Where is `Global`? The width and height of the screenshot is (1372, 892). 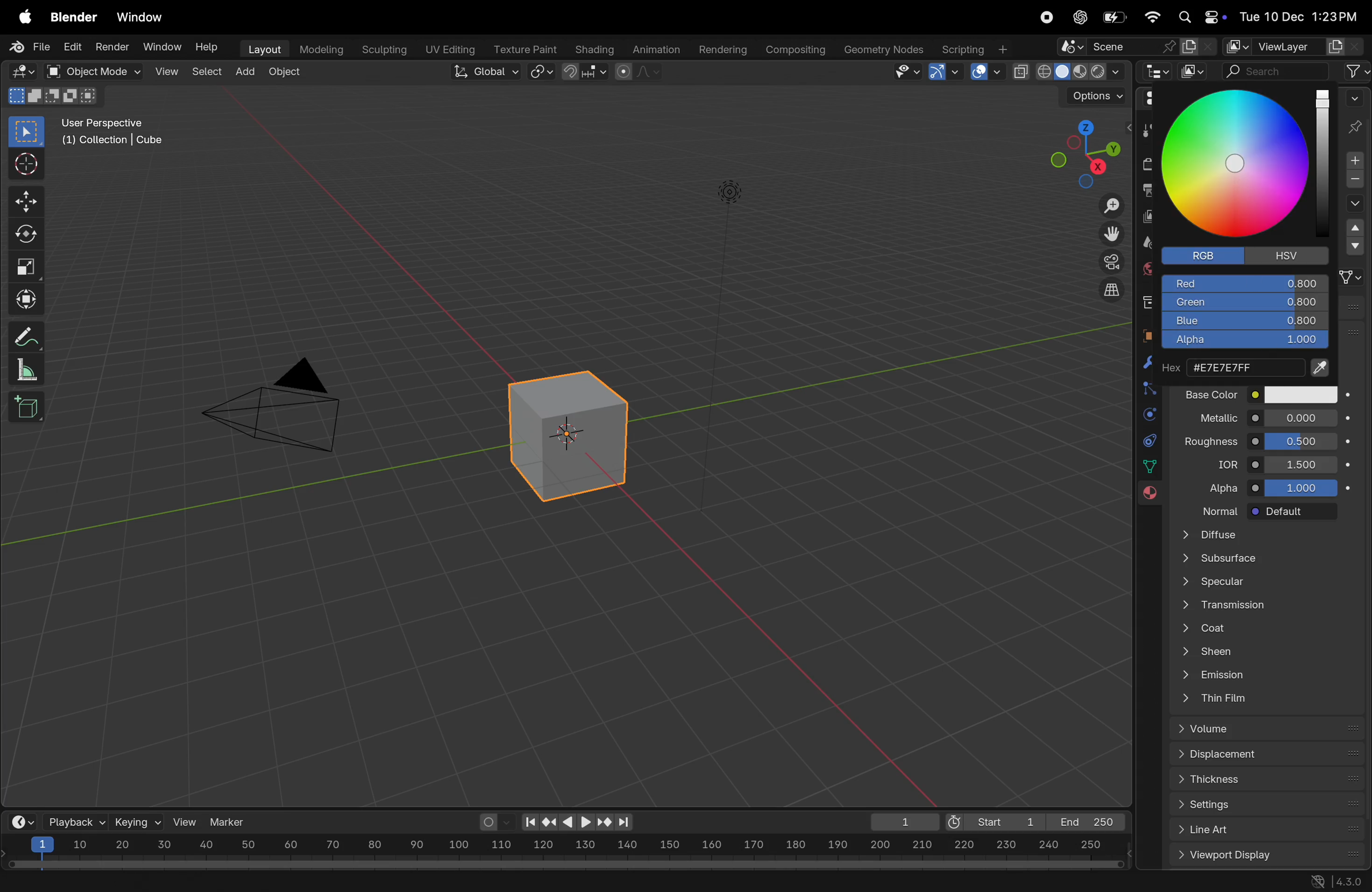 Global is located at coordinates (482, 71).